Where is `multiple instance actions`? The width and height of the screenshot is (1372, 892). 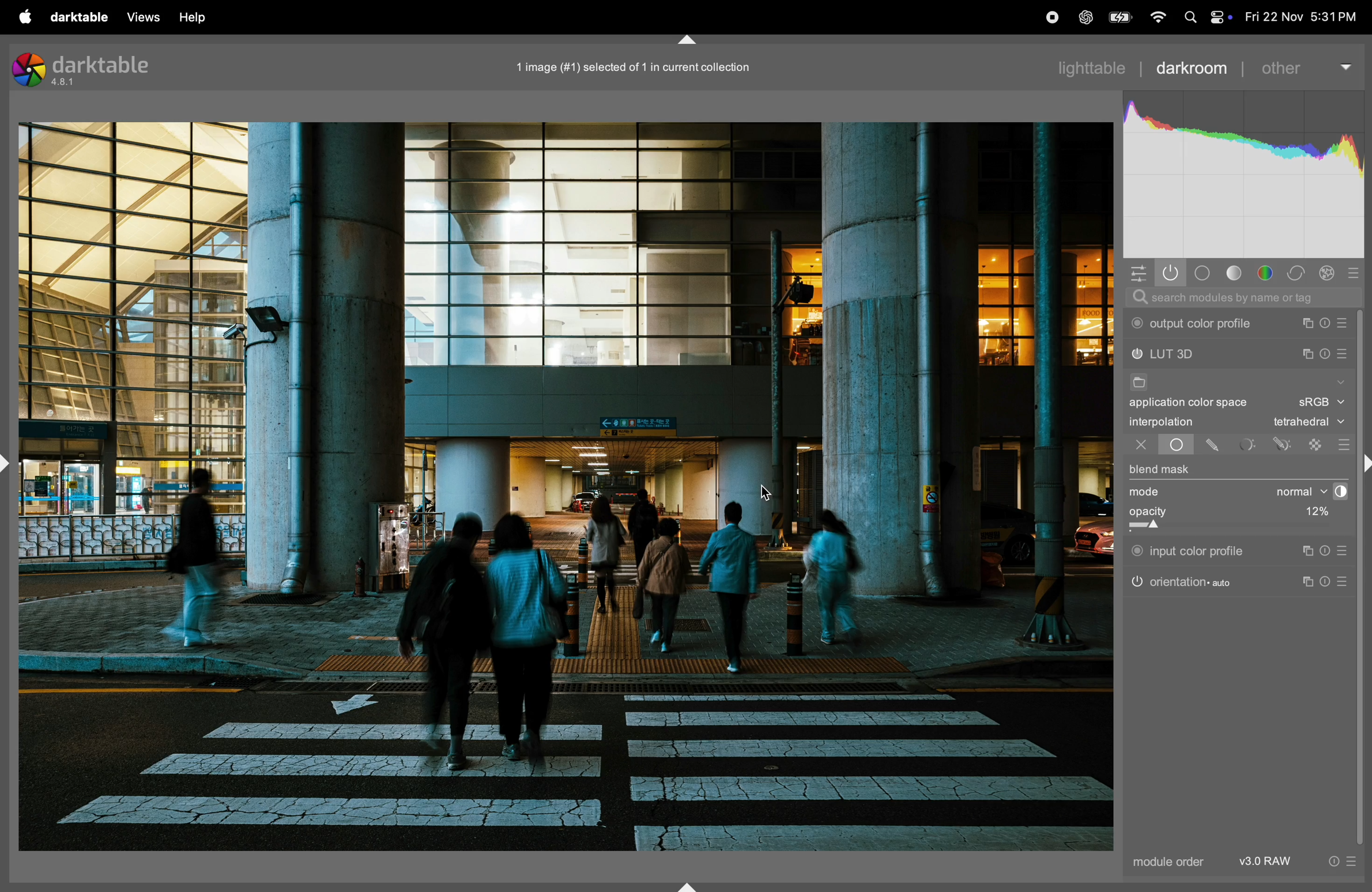
multiple instance actions is located at coordinates (1307, 354).